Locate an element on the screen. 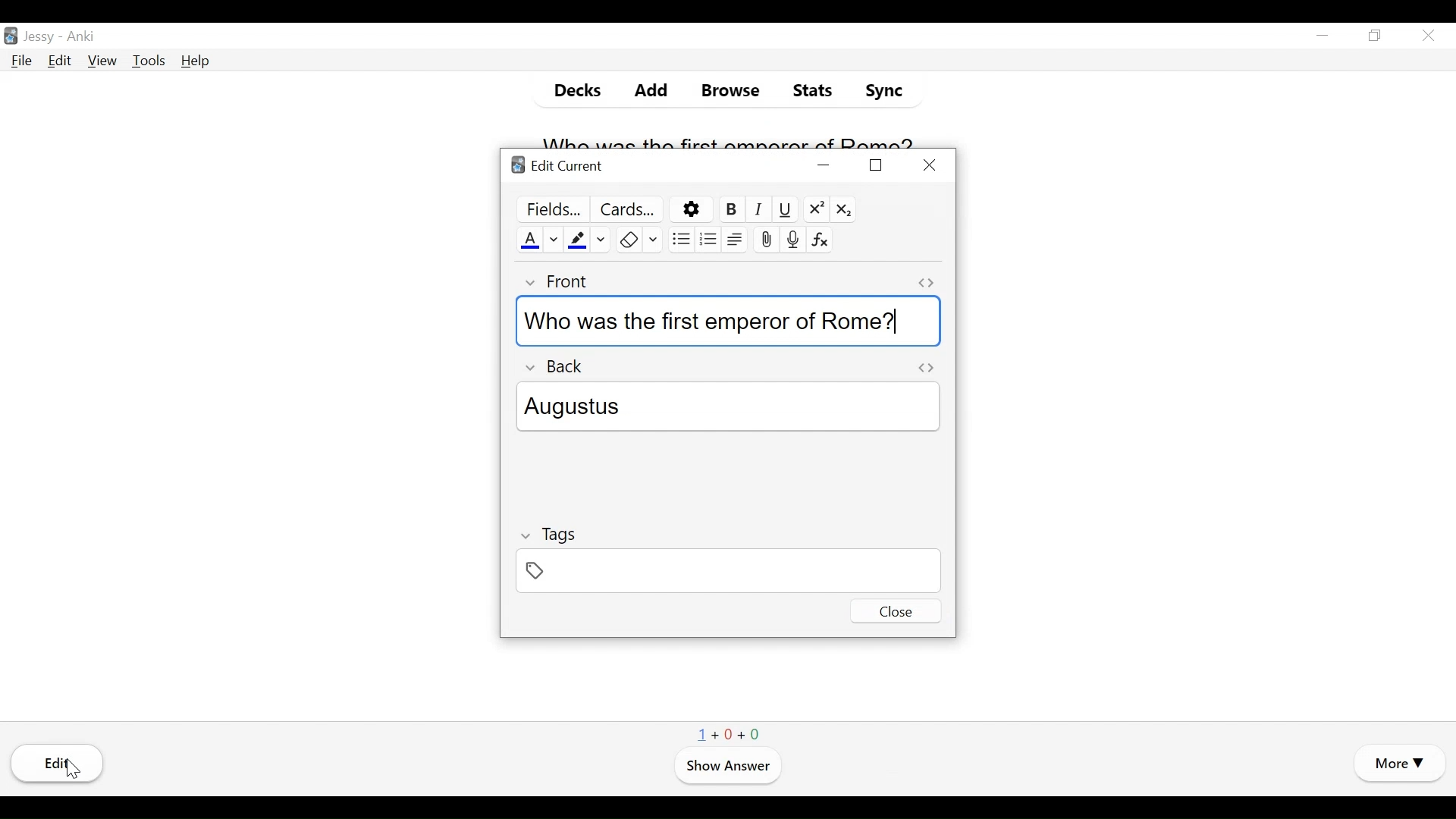 This screenshot has height=819, width=1456. Edi is located at coordinates (60, 764).